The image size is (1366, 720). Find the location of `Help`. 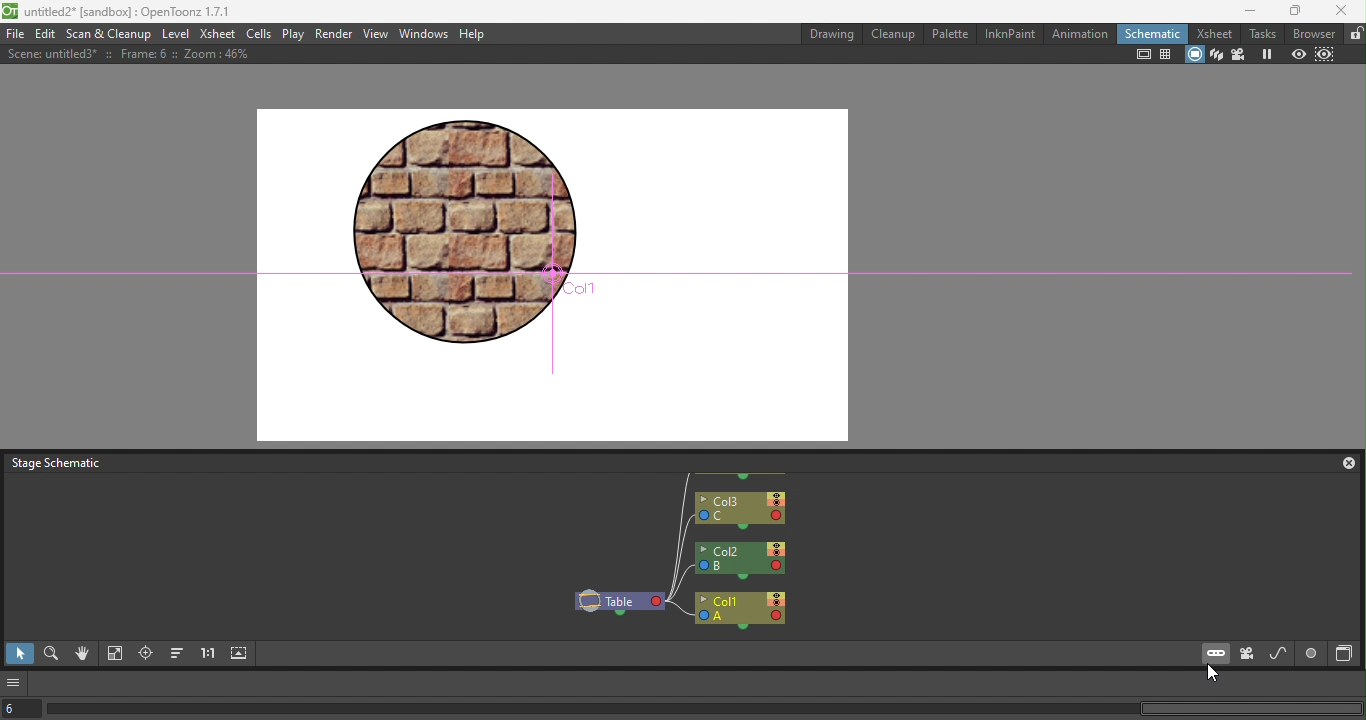

Help is located at coordinates (473, 34).